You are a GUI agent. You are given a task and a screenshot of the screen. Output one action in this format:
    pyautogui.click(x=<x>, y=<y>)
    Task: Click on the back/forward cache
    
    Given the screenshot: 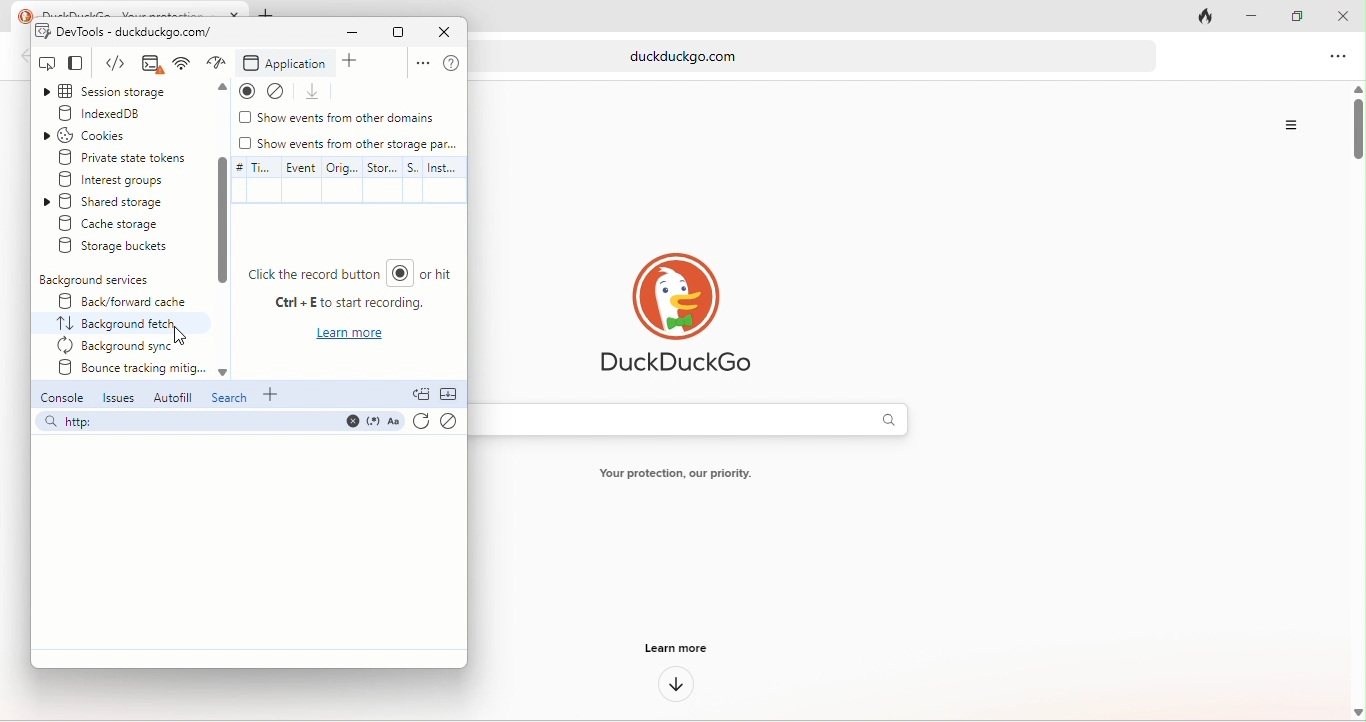 What is the action you would take?
    pyautogui.click(x=117, y=301)
    